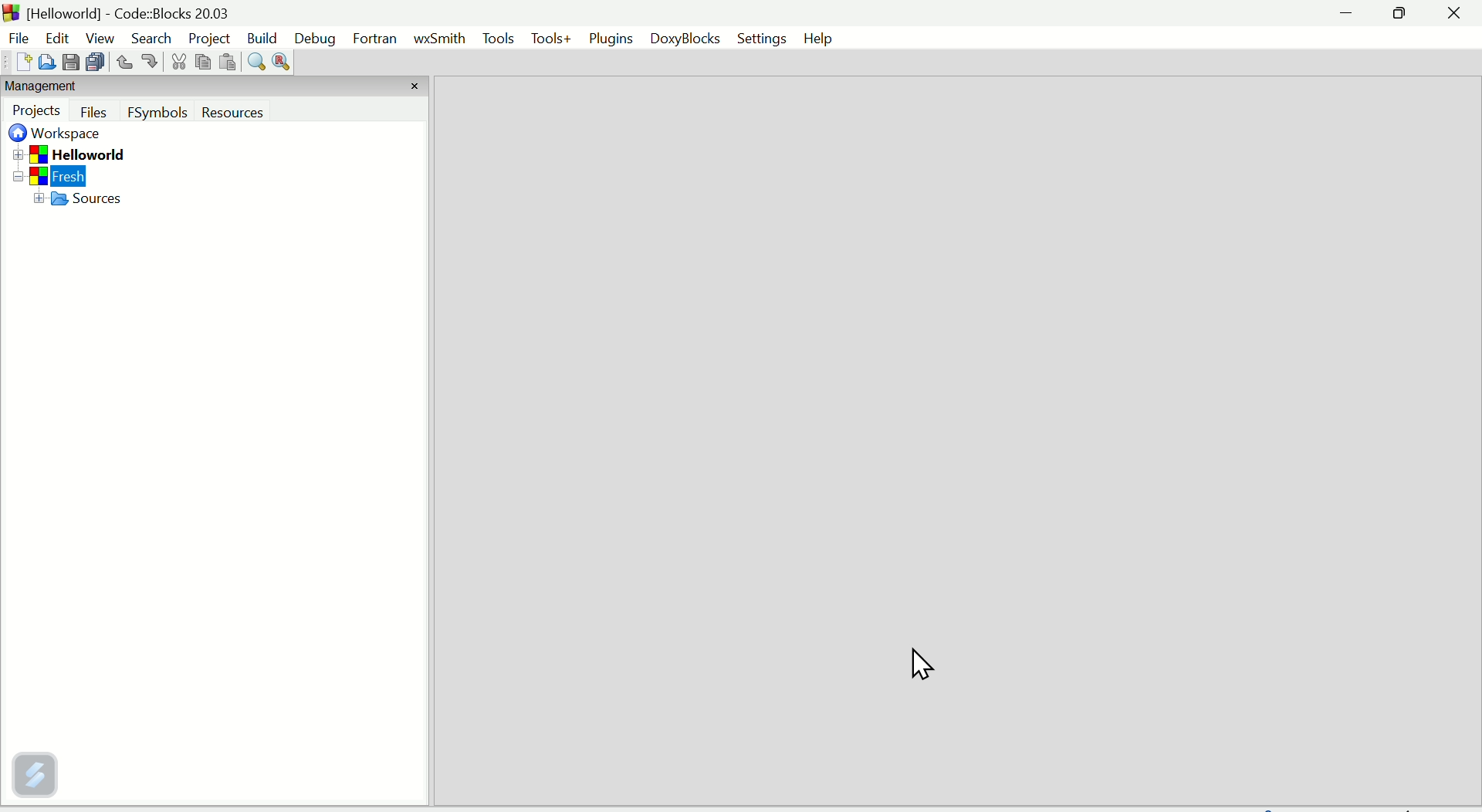 The width and height of the screenshot is (1482, 812). Describe the element at coordinates (499, 41) in the screenshot. I see `` at that location.